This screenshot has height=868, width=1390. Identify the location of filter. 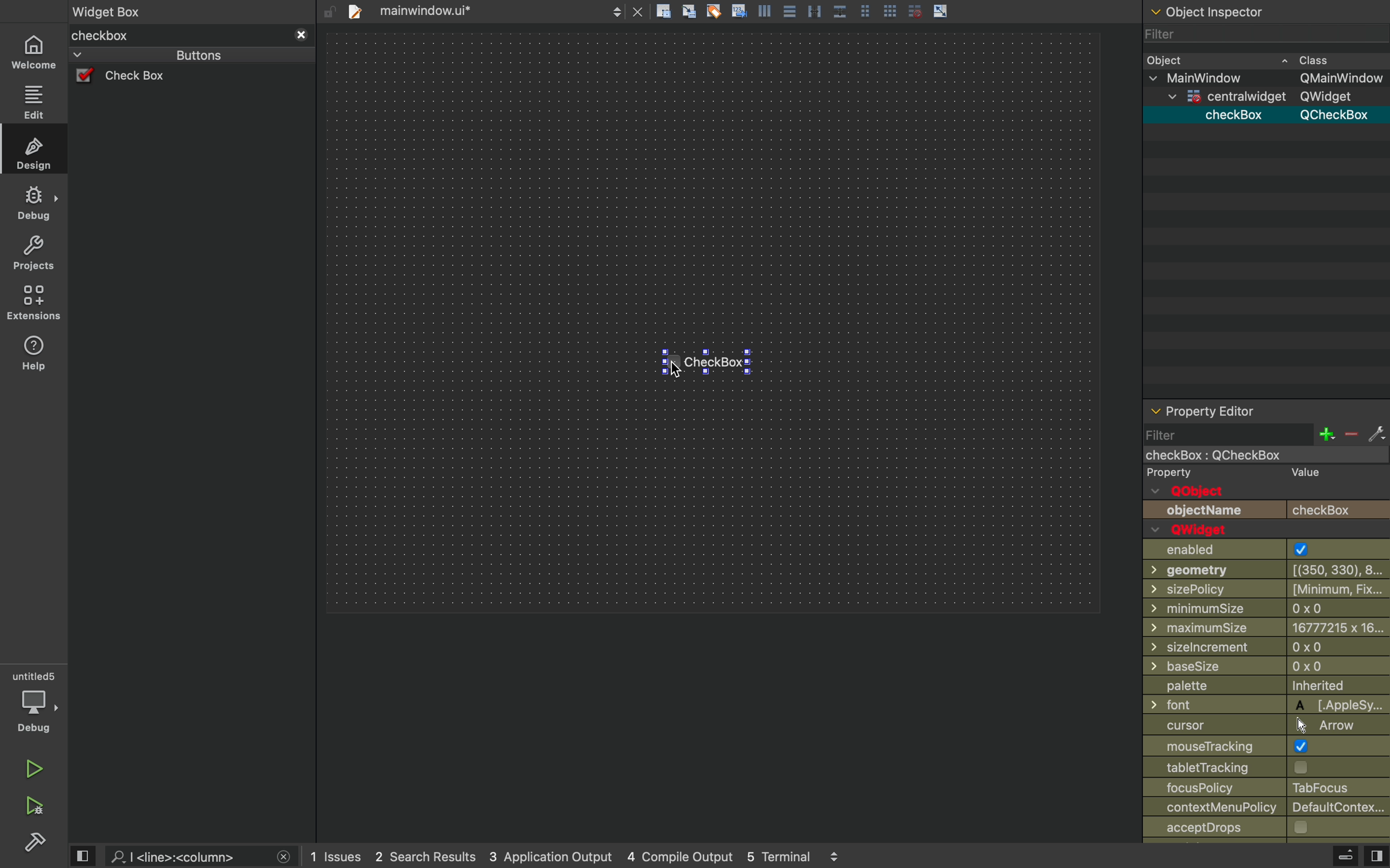
(1228, 434).